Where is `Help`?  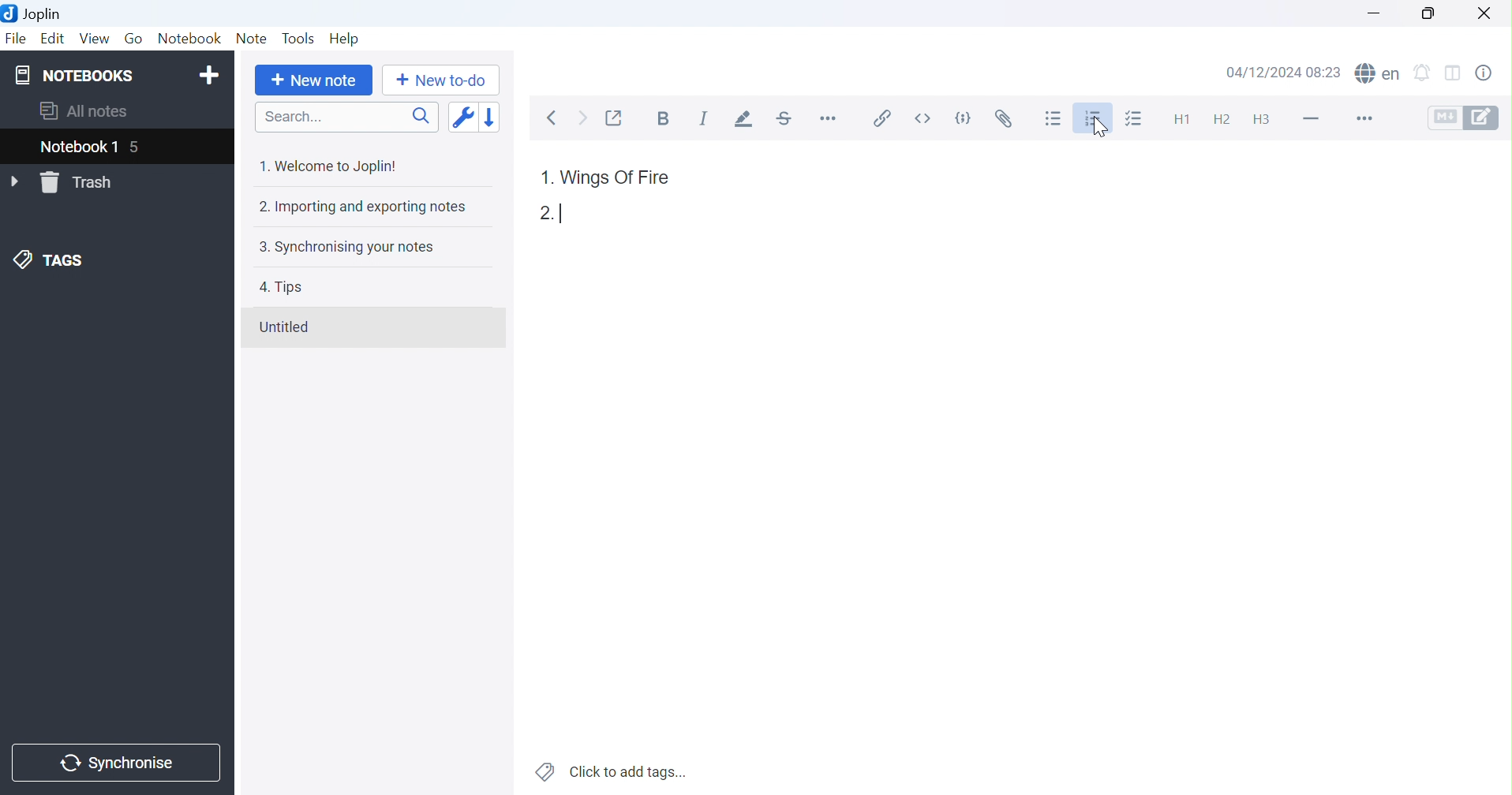 Help is located at coordinates (342, 37).